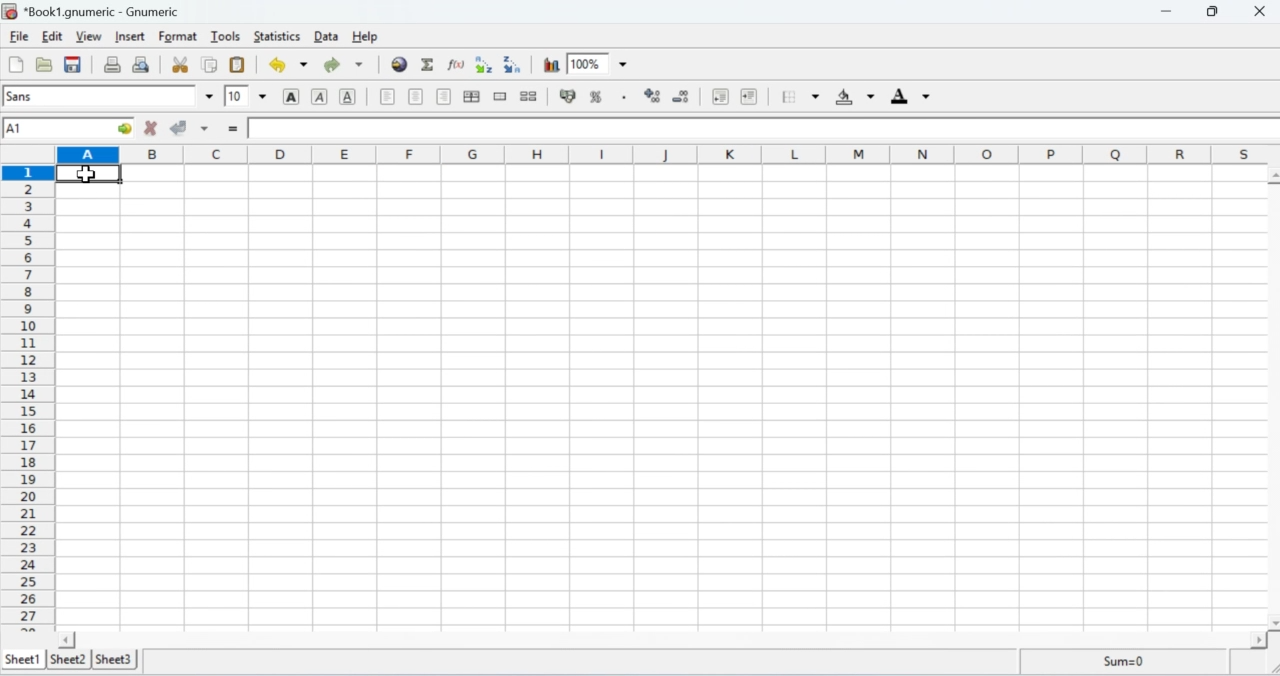  I want to click on Align right, so click(446, 97).